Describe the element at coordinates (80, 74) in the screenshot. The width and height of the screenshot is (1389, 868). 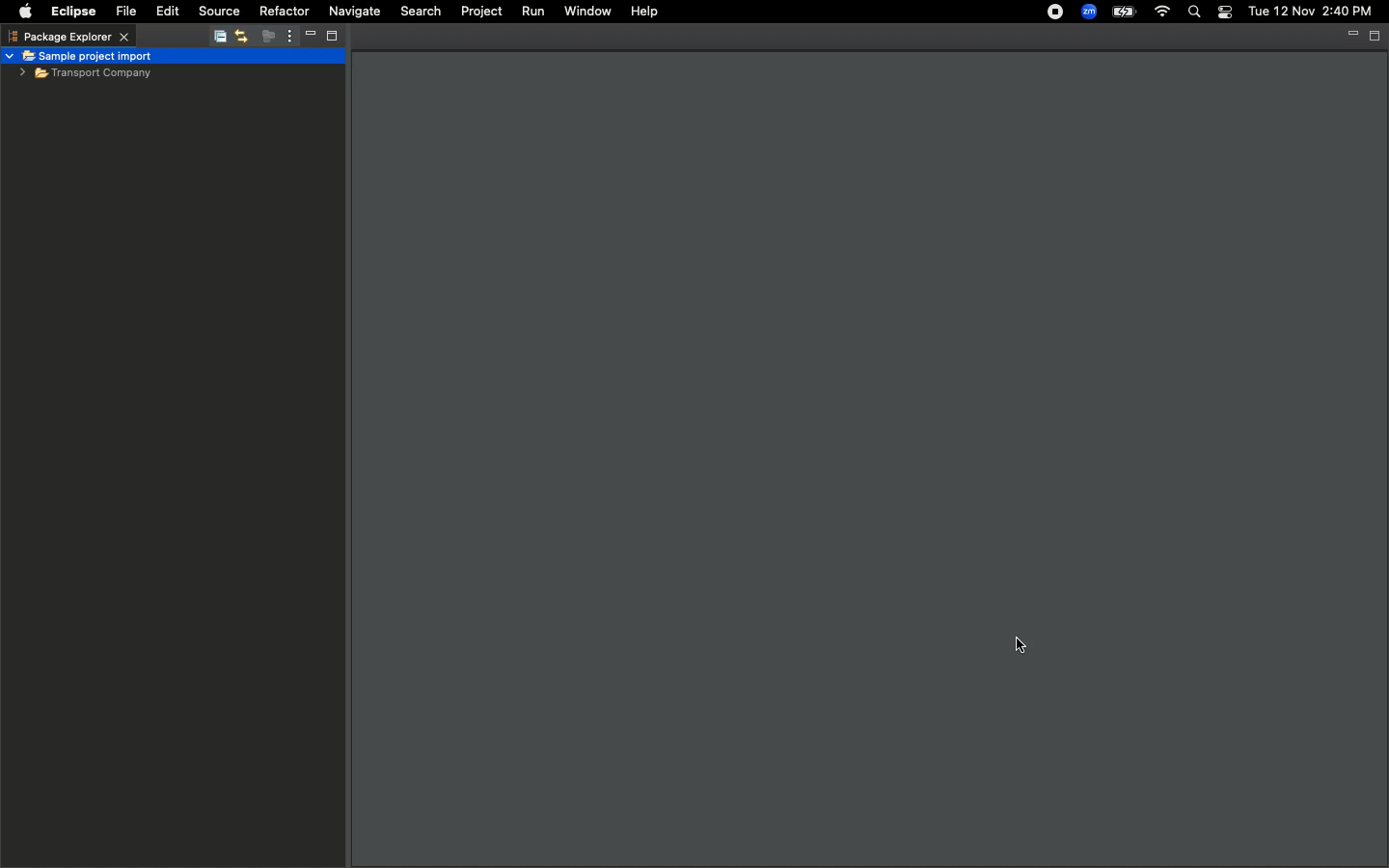
I see `Imported sample file` at that location.